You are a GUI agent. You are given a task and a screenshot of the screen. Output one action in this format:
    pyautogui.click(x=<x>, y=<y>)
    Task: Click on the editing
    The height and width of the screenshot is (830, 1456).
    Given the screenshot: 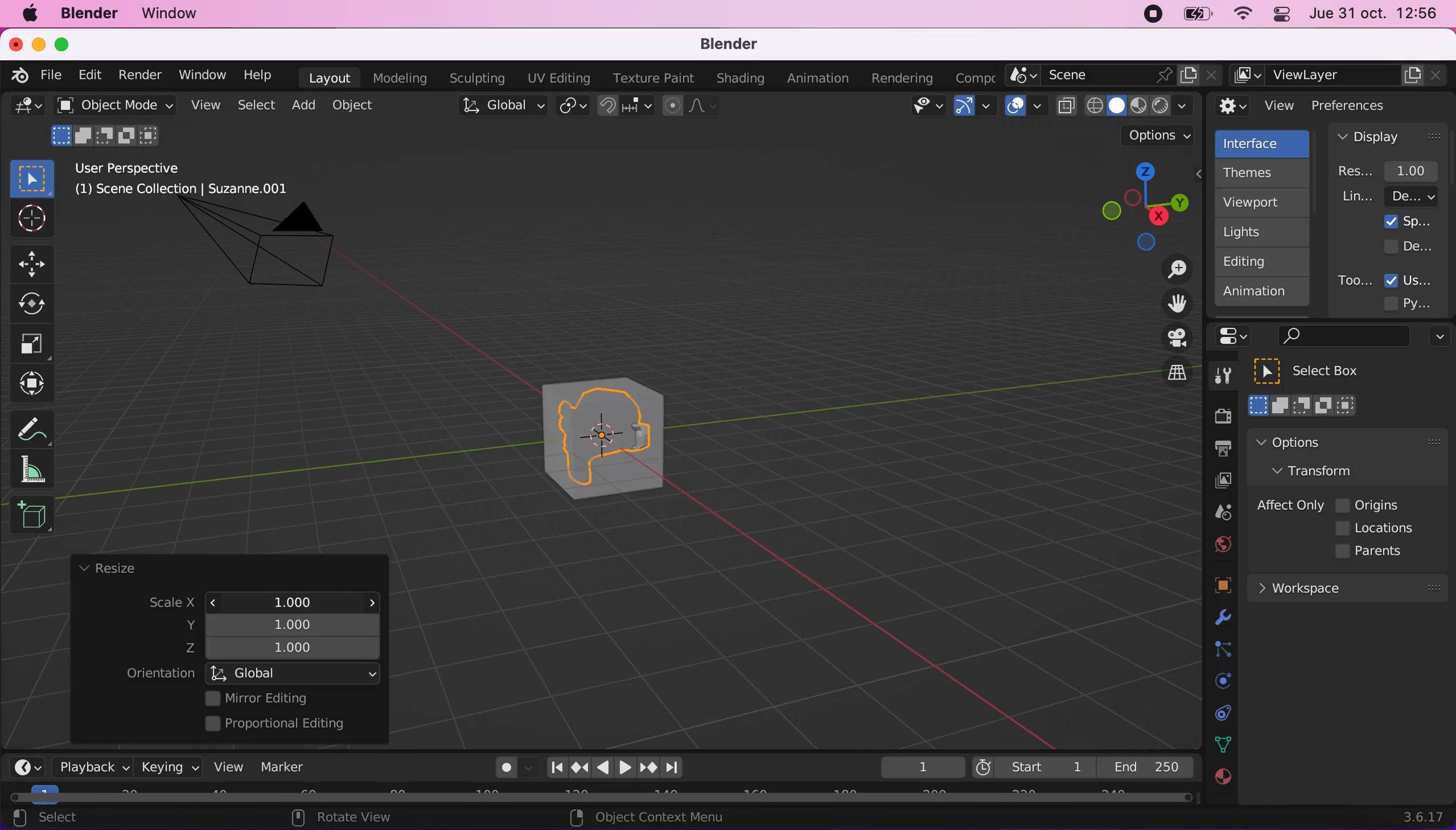 What is the action you would take?
    pyautogui.click(x=1257, y=261)
    